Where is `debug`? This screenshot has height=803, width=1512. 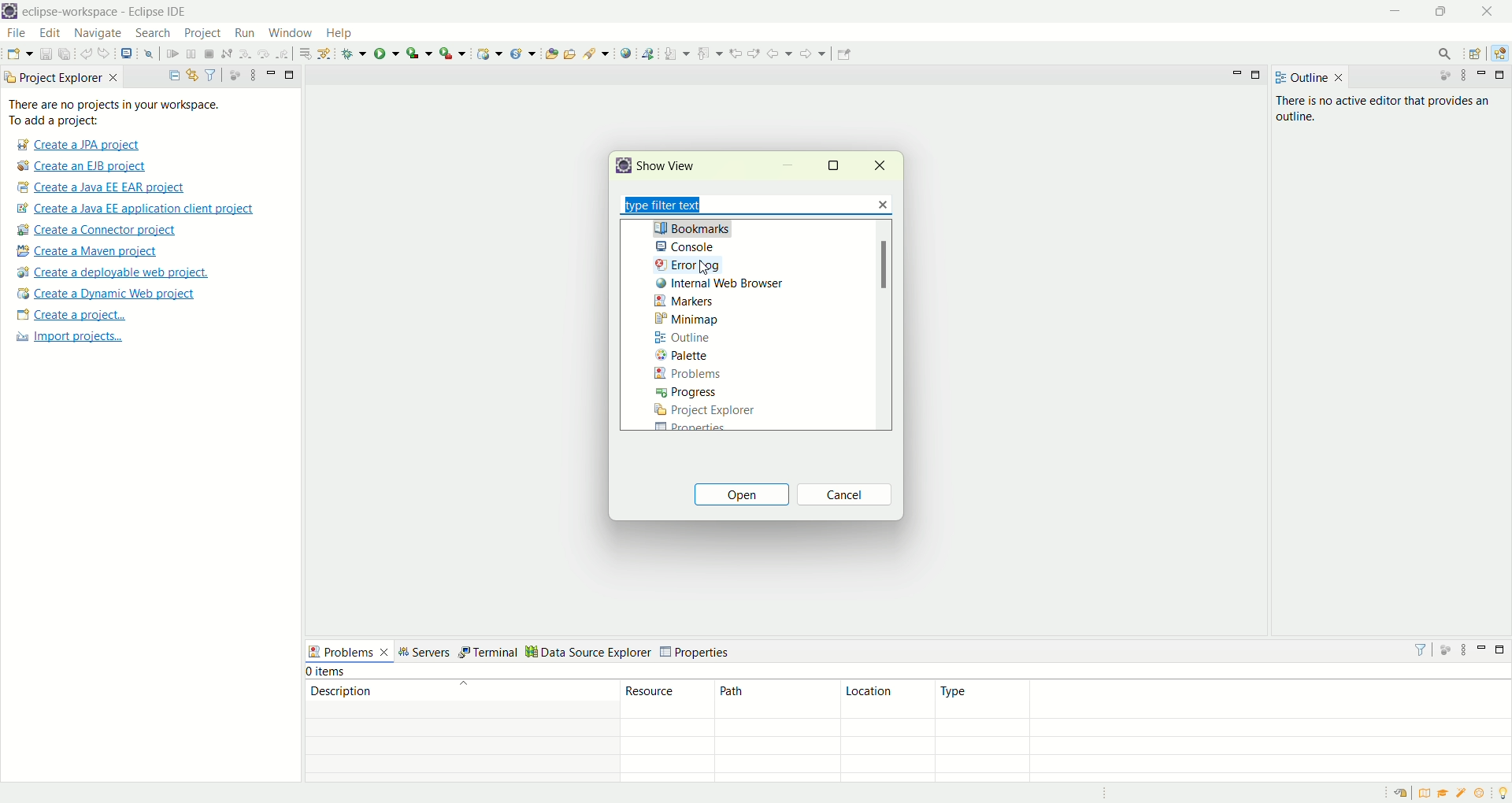
debug is located at coordinates (353, 53).